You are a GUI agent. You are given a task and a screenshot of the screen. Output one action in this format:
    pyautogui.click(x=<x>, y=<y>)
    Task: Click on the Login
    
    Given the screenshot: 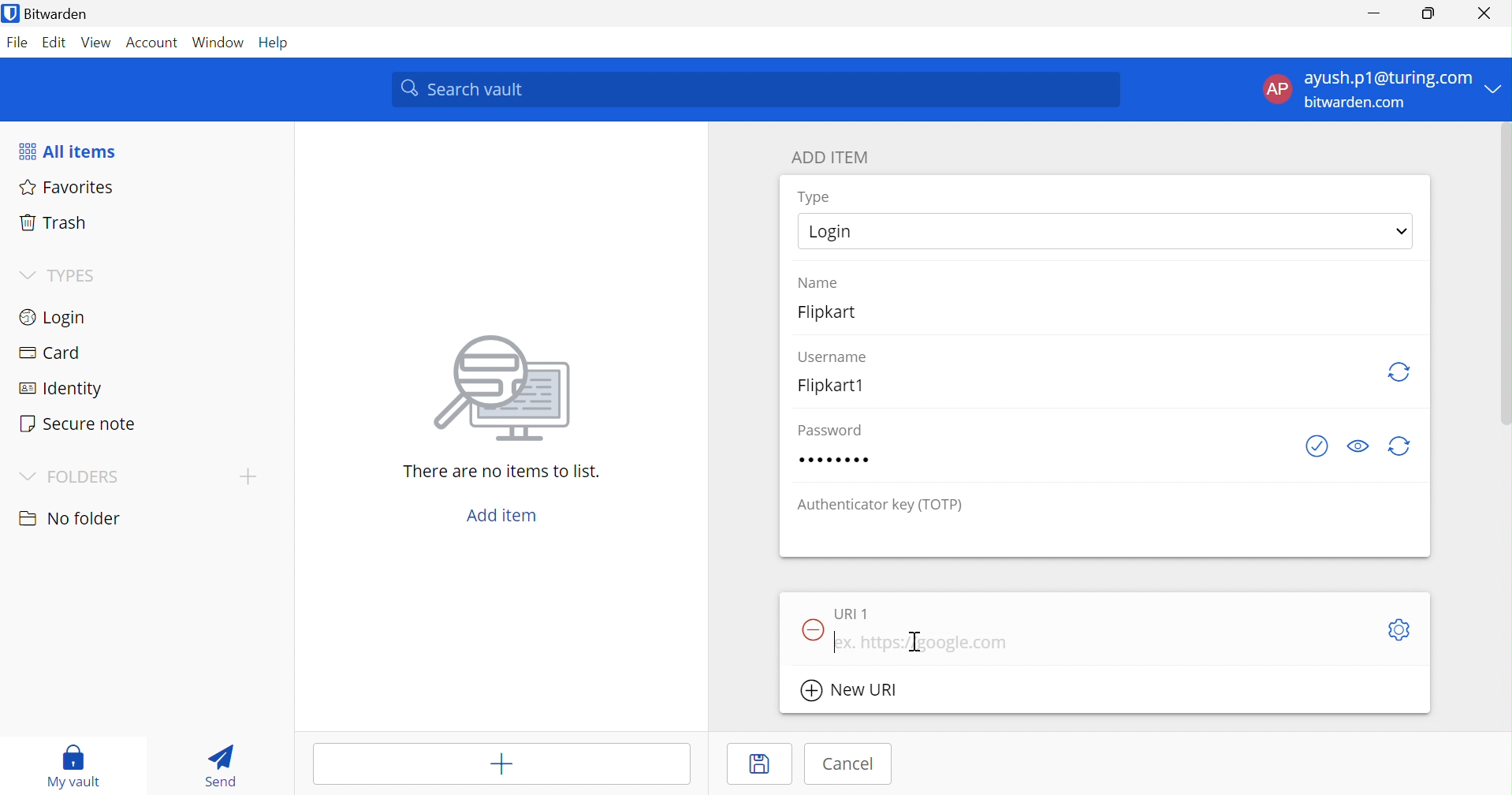 What is the action you would take?
    pyautogui.click(x=56, y=319)
    